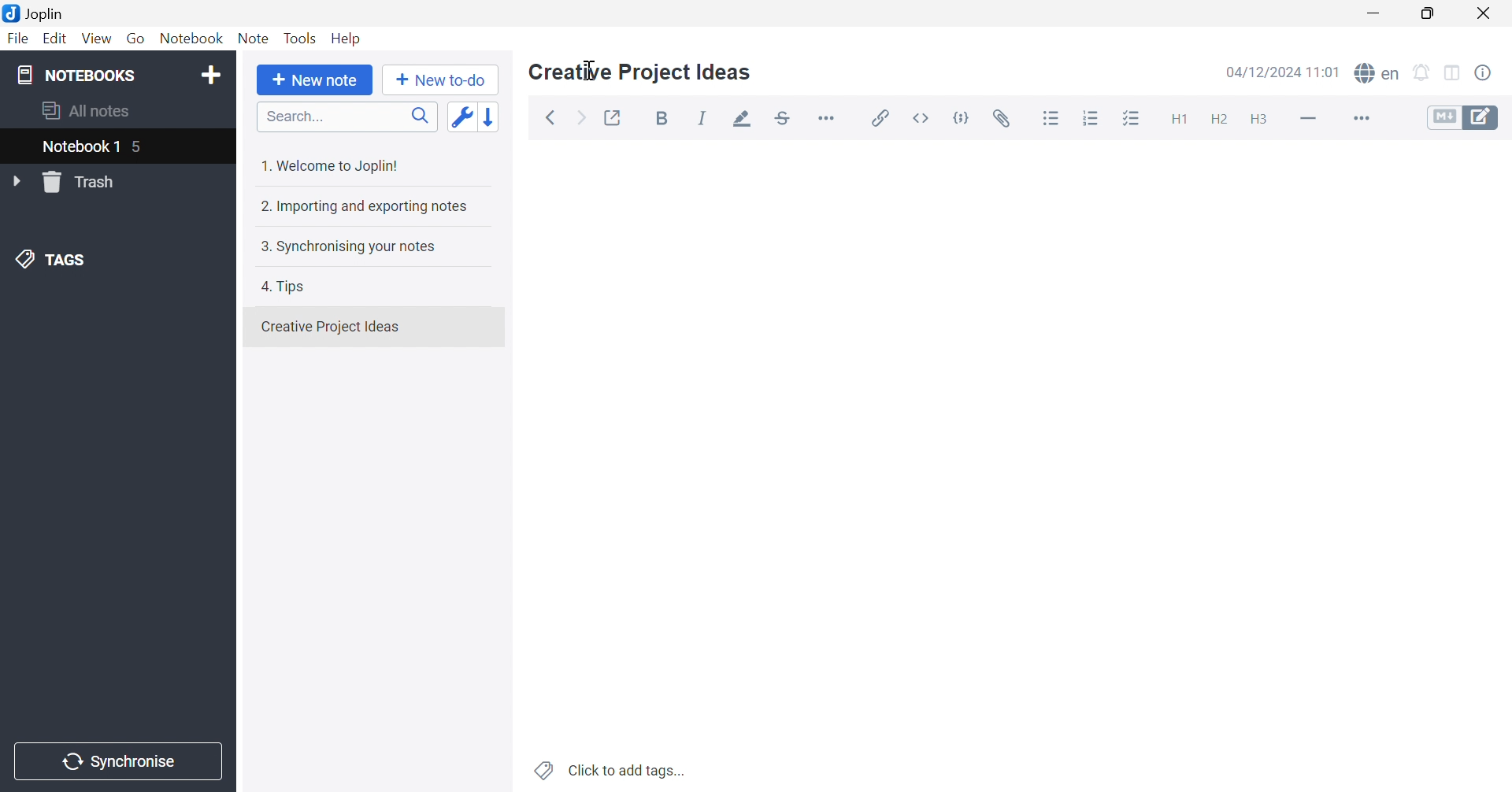 The width and height of the screenshot is (1512, 792). Describe the element at coordinates (1007, 120) in the screenshot. I see `Attach file` at that location.